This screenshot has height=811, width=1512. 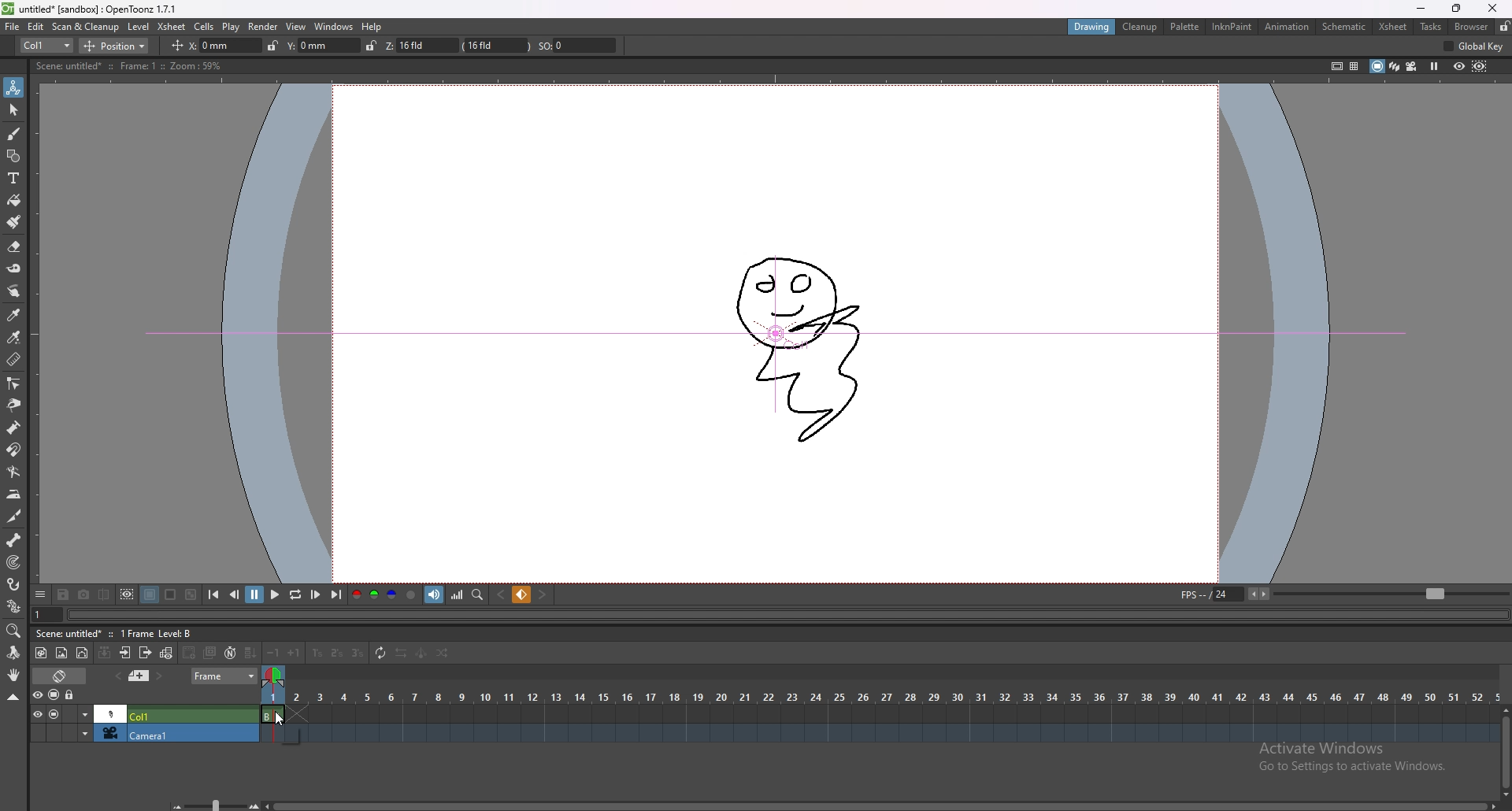 I want to click on options, so click(x=41, y=593).